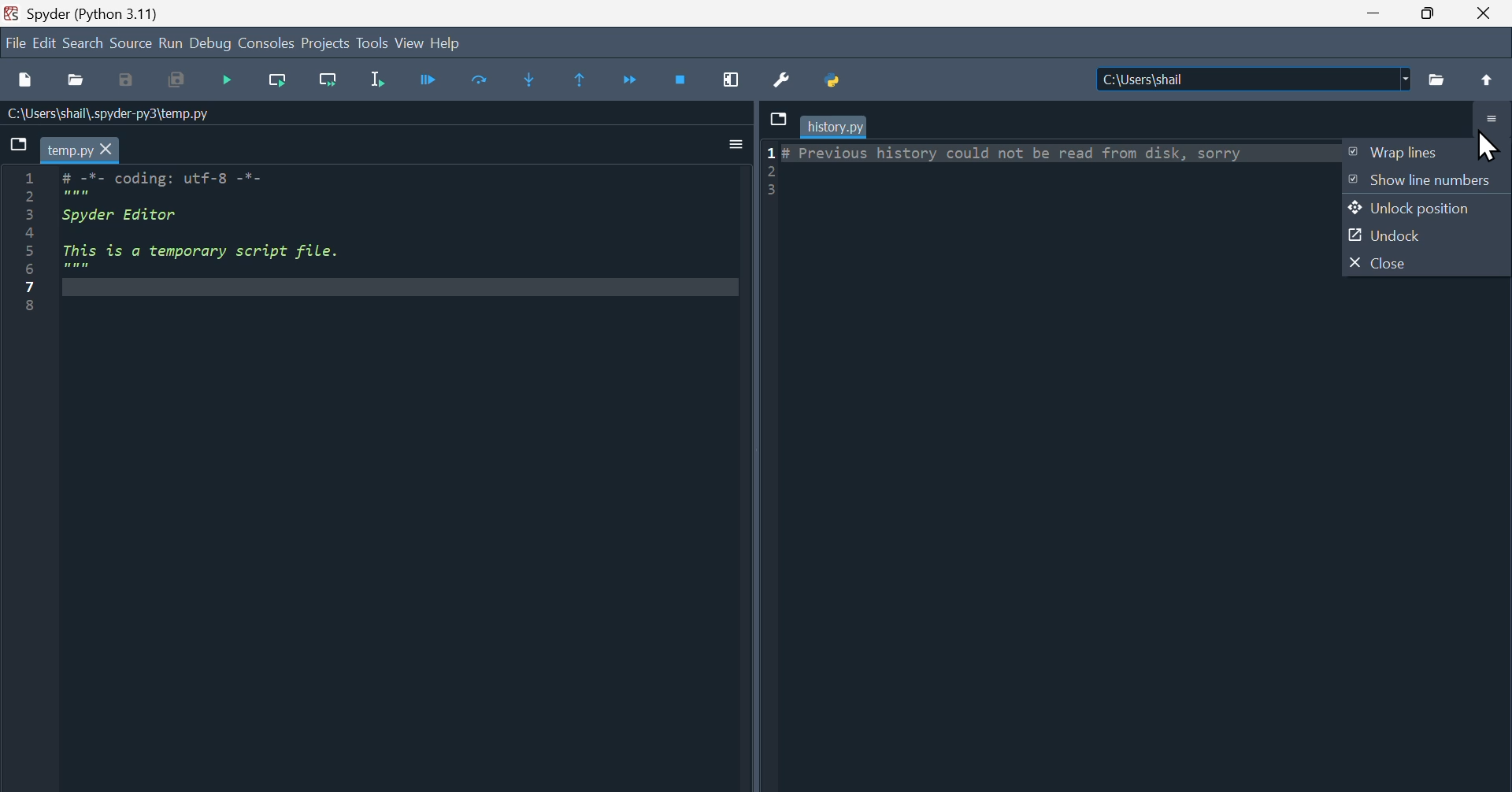 This screenshot has height=792, width=1512. Describe the element at coordinates (1485, 13) in the screenshot. I see `Close` at that location.